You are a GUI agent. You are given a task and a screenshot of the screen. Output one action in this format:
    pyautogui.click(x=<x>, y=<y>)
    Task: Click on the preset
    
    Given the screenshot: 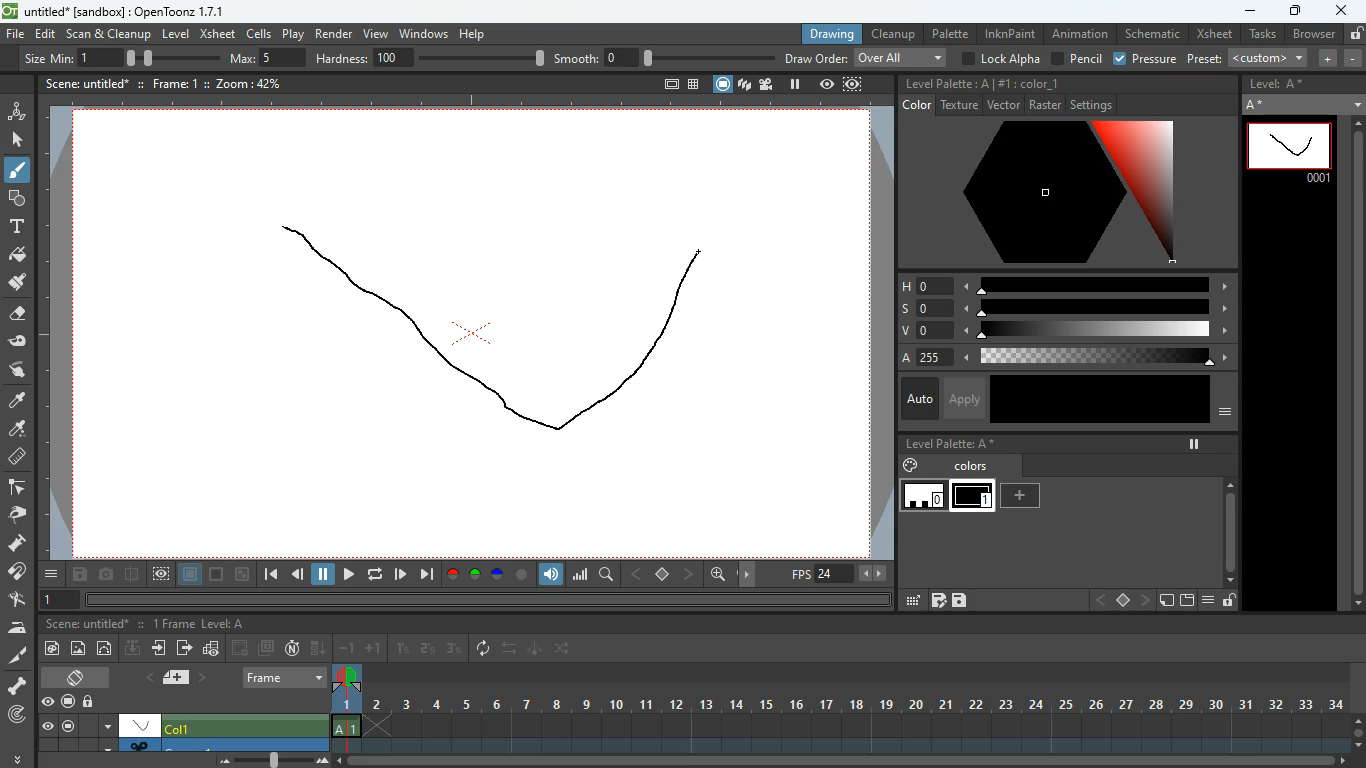 What is the action you would take?
    pyautogui.click(x=1249, y=58)
    